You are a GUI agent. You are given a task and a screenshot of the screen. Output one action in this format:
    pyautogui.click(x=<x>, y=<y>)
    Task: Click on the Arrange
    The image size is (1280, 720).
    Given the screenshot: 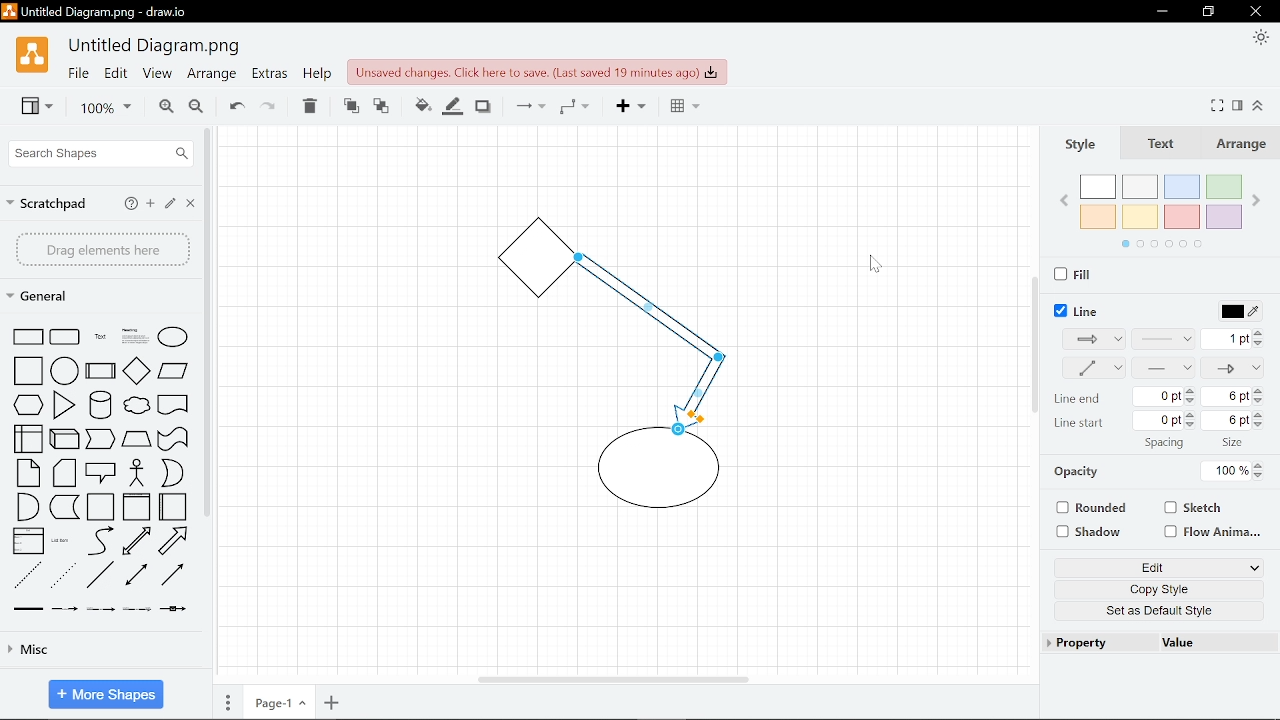 What is the action you would take?
    pyautogui.click(x=211, y=76)
    